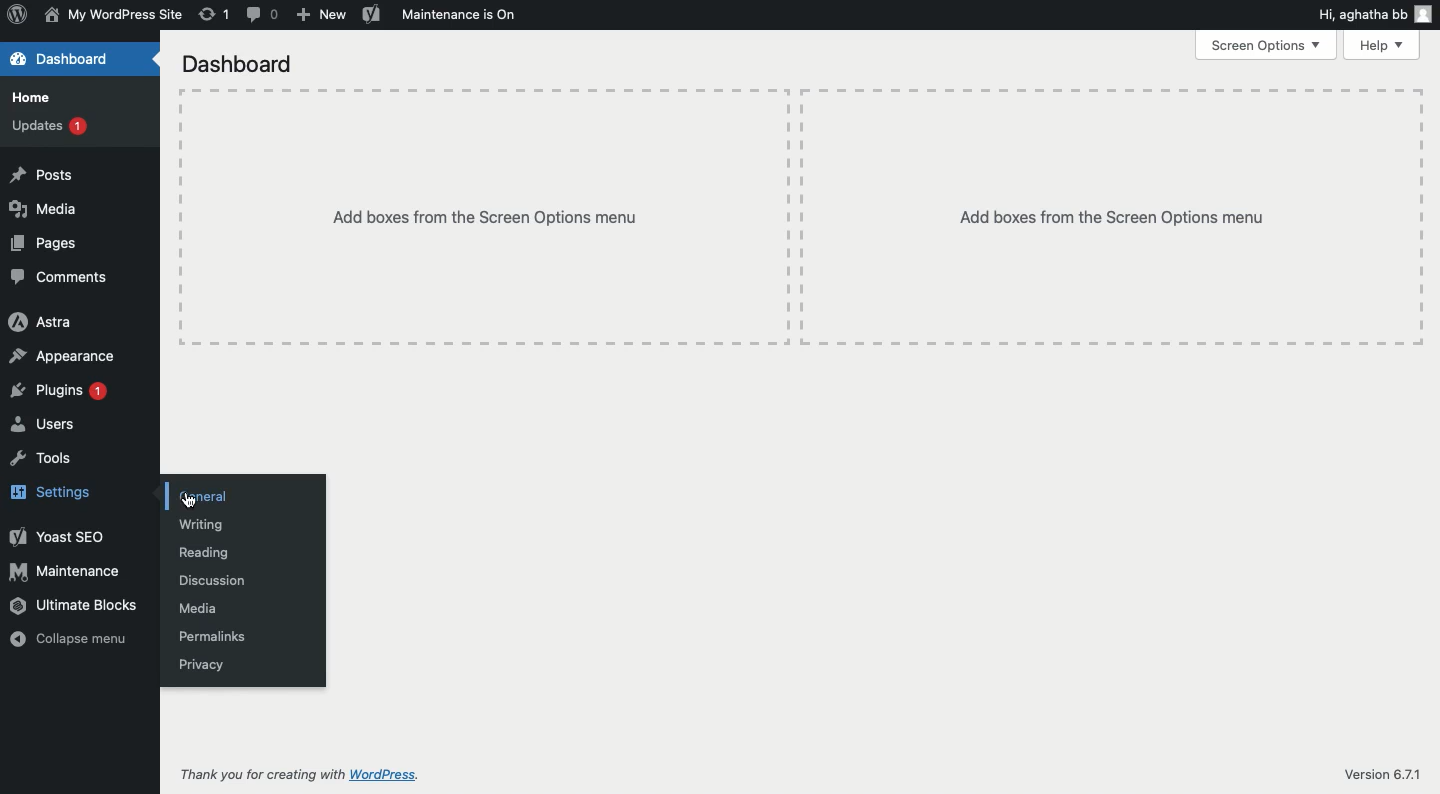 This screenshot has height=794, width=1440. Describe the element at coordinates (206, 553) in the screenshot. I see `Reading` at that location.